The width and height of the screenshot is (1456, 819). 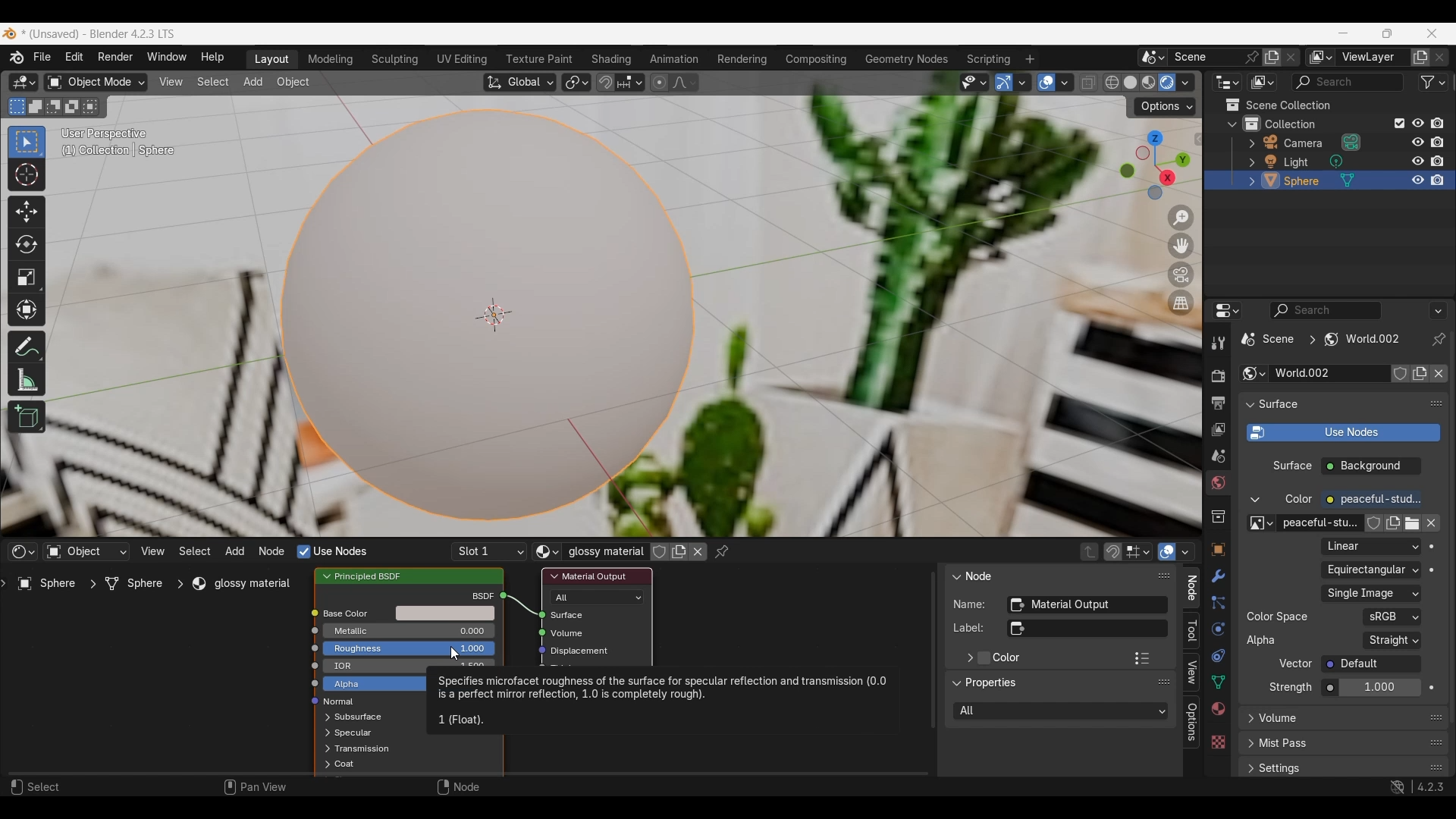 What do you see at coordinates (1411, 523) in the screenshot?
I see `Open image` at bounding box center [1411, 523].